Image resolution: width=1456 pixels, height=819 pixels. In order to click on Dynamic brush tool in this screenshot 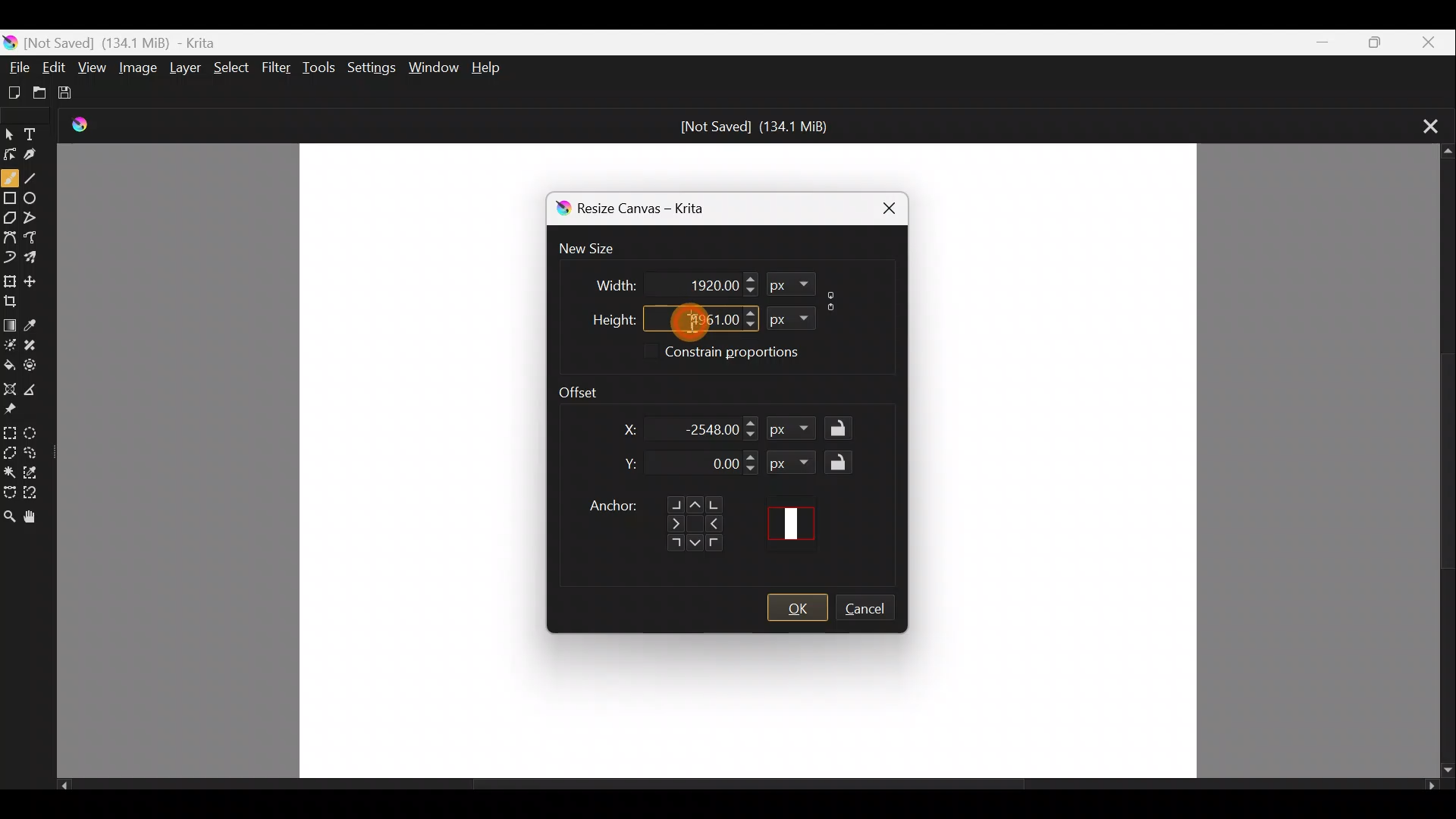, I will do `click(10, 256)`.